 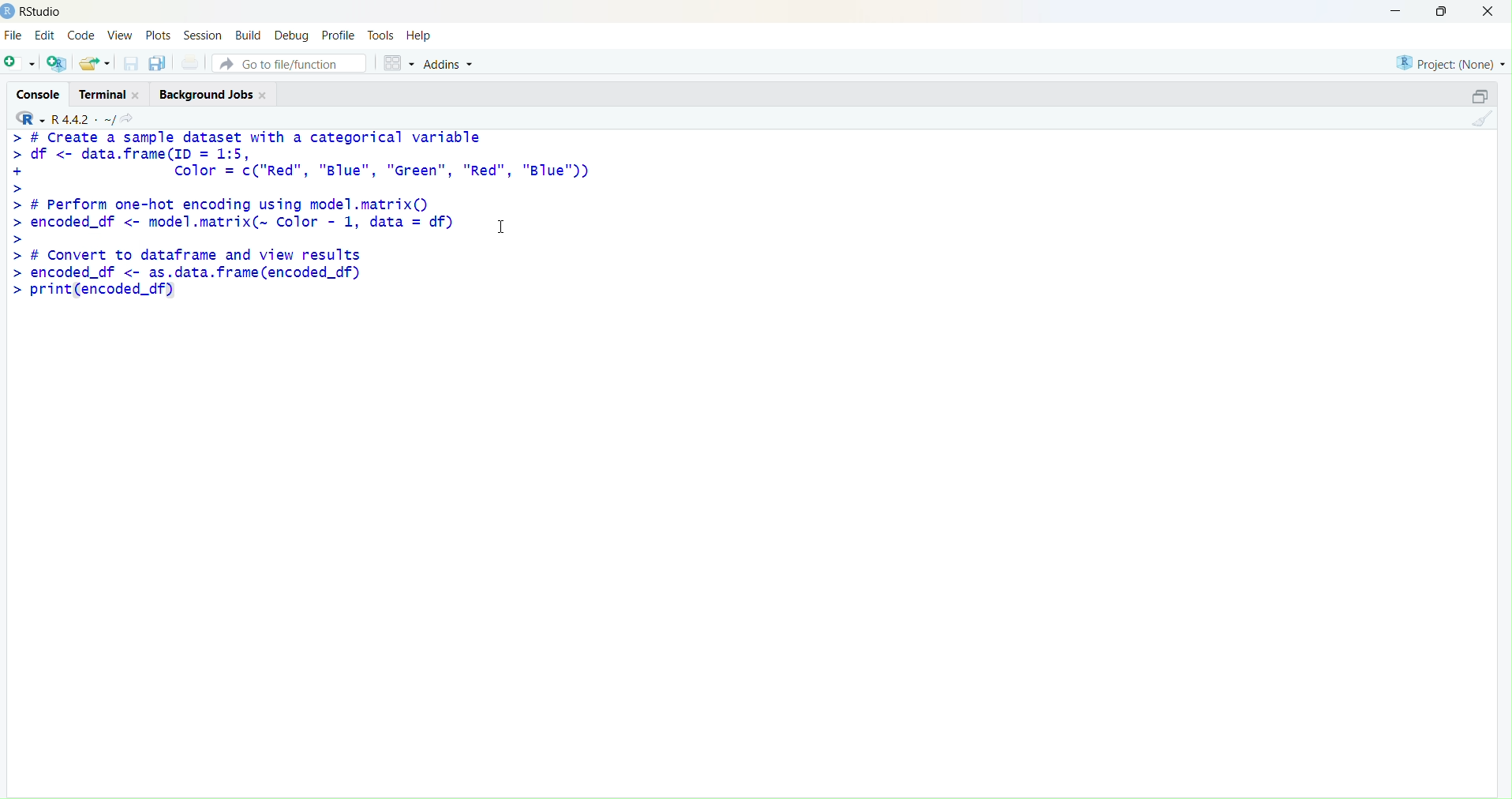 What do you see at coordinates (1480, 96) in the screenshot?
I see `open in separate window ` at bounding box center [1480, 96].